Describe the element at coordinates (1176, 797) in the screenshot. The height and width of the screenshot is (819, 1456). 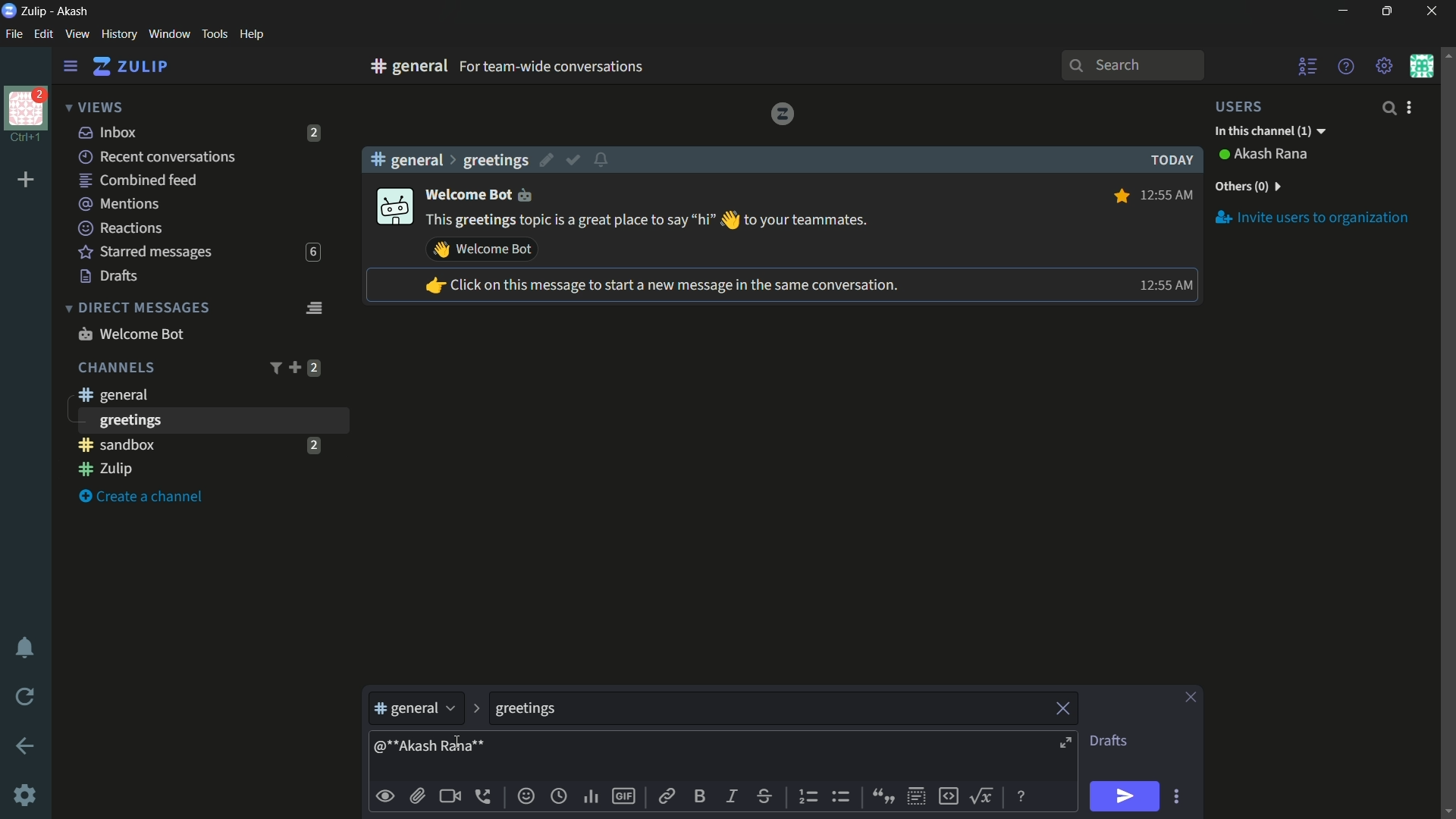
I see `send options` at that location.